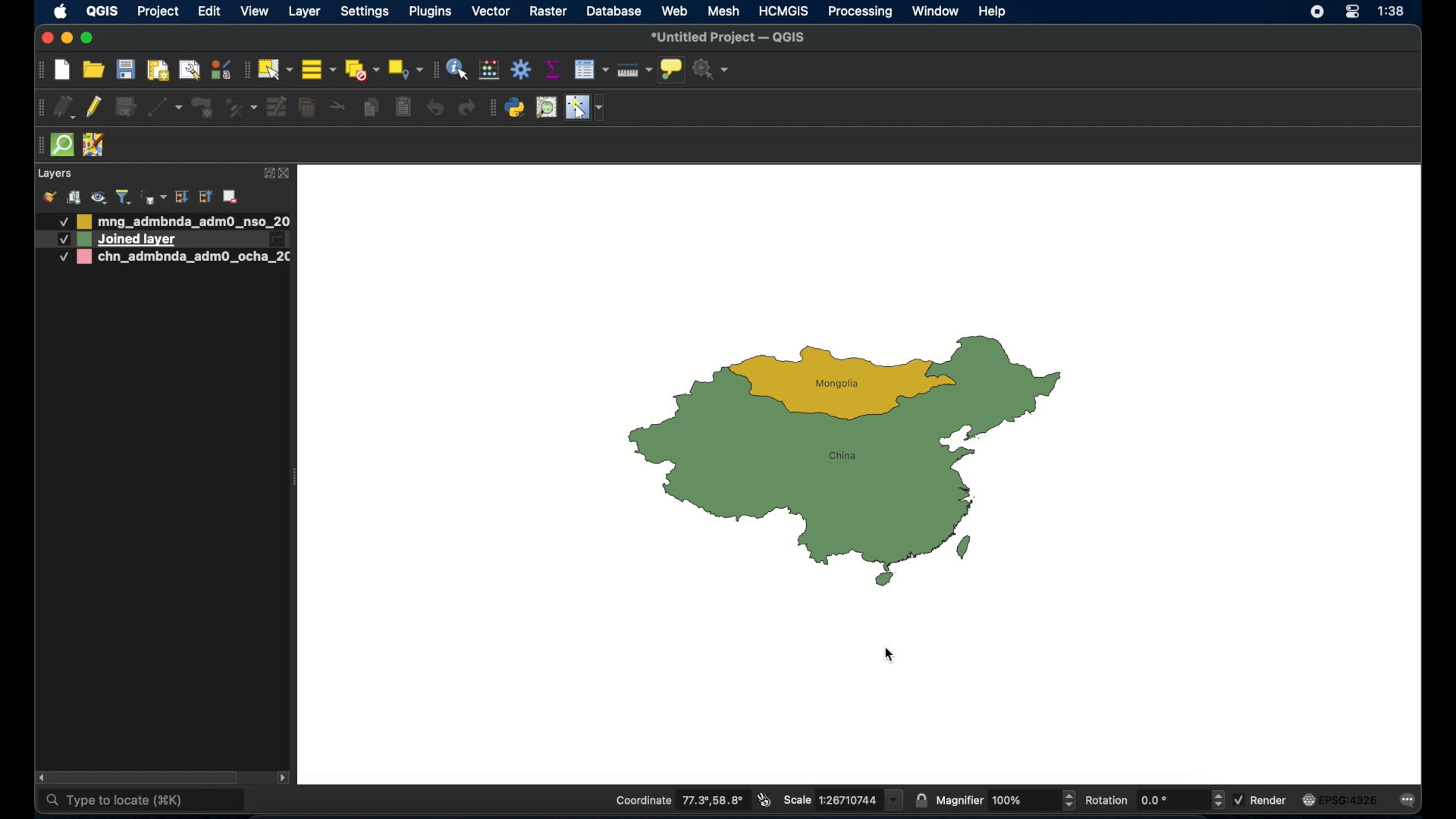 The image size is (1456, 819). Describe the element at coordinates (266, 173) in the screenshot. I see `expand` at that location.